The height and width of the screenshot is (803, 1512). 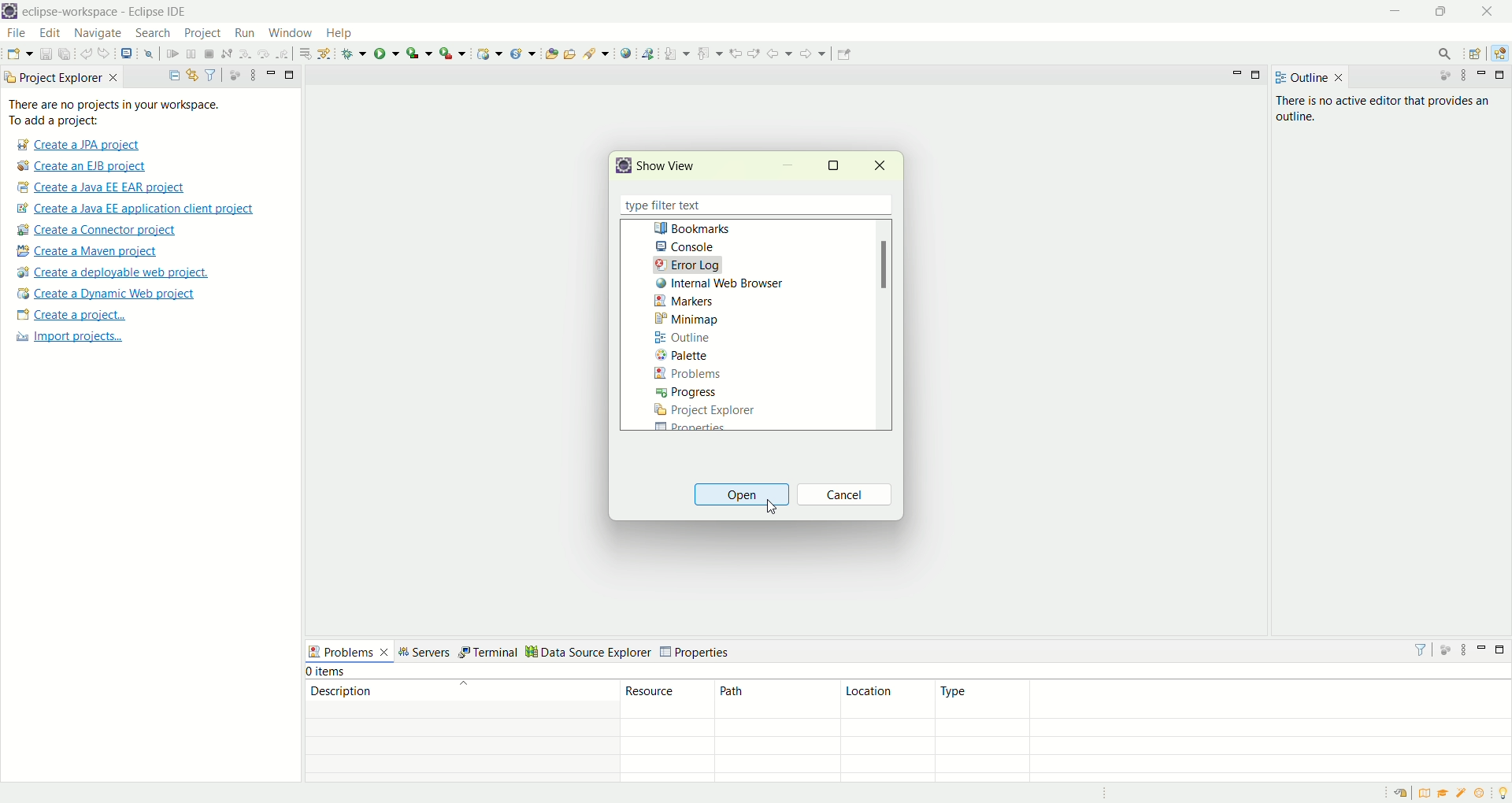 What do you see at coordinates (133, 113) in the screenshot?
I see `Thee are no projects in your workspace. To add a project:` at bounding box center [133, 113].